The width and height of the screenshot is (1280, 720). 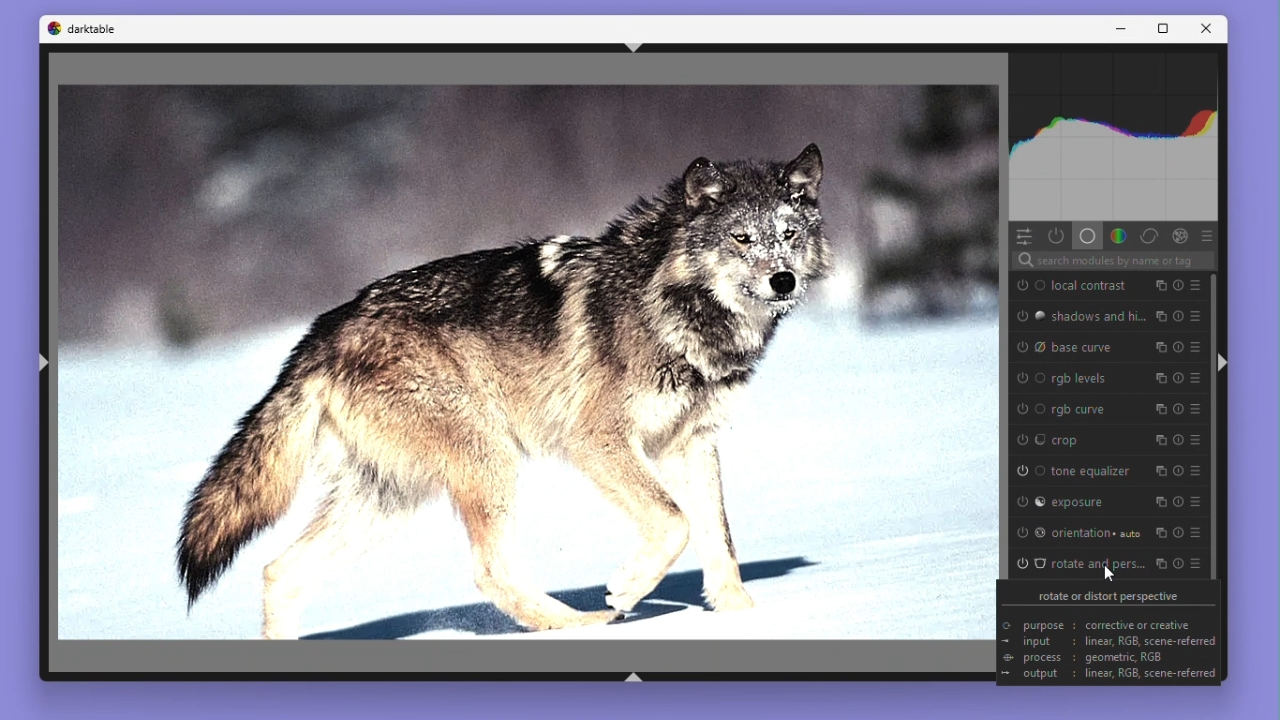 I want to click on Base, so click(x=1086, y=233).